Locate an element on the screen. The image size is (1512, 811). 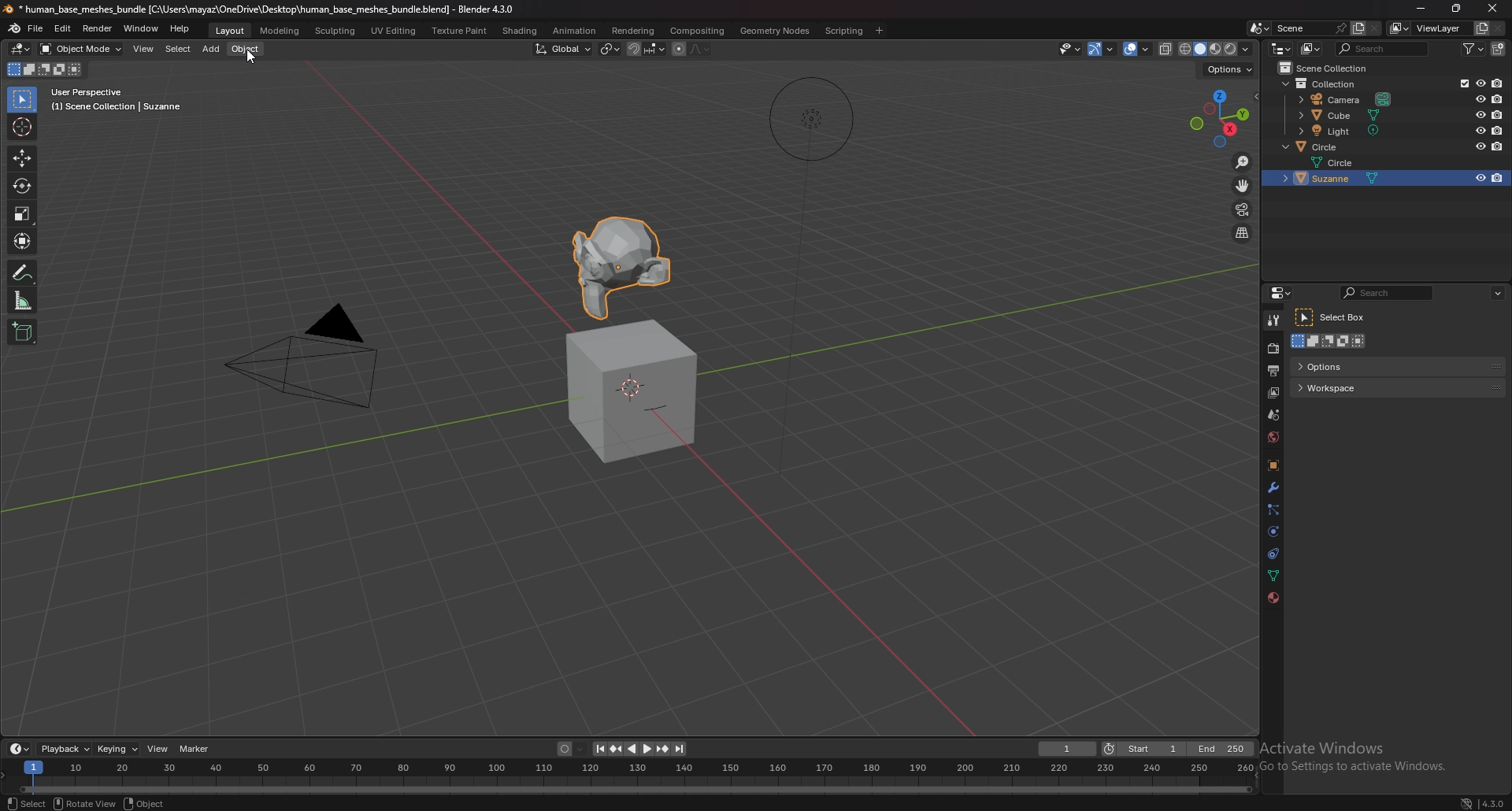
hide in viewport is located at coordinates (1479, 99).